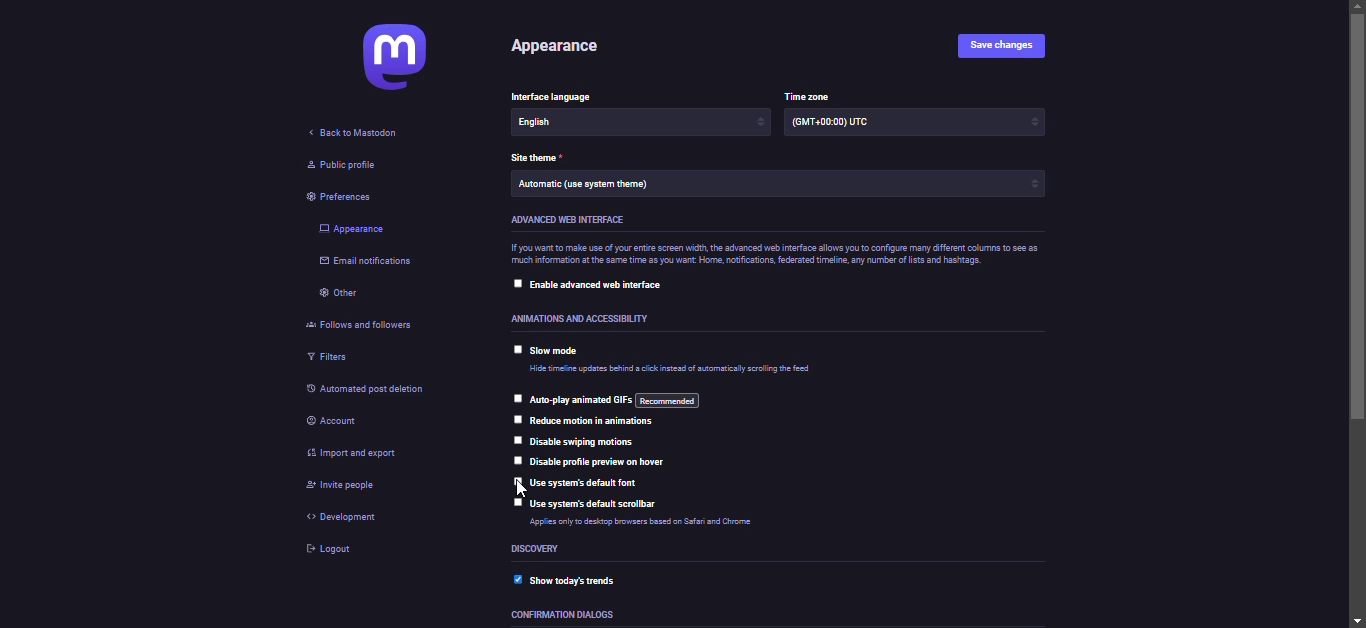 This screenshot has width=1366, height=628. I want to click on appearance, so click(355, 228).